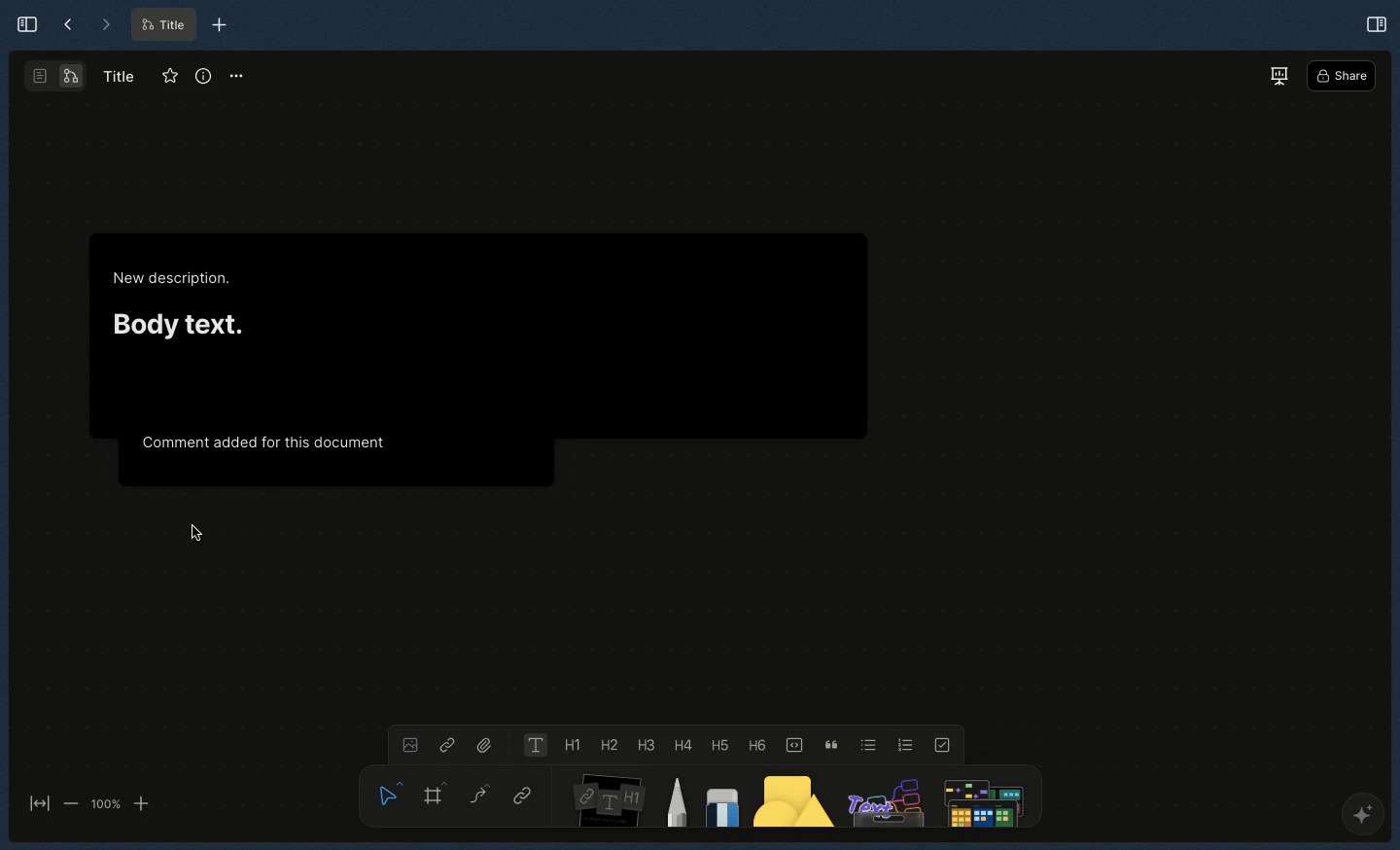 Image resolution: width=1400 pixels, height=850 pixels. I want to click on Image, so click(407, 743).